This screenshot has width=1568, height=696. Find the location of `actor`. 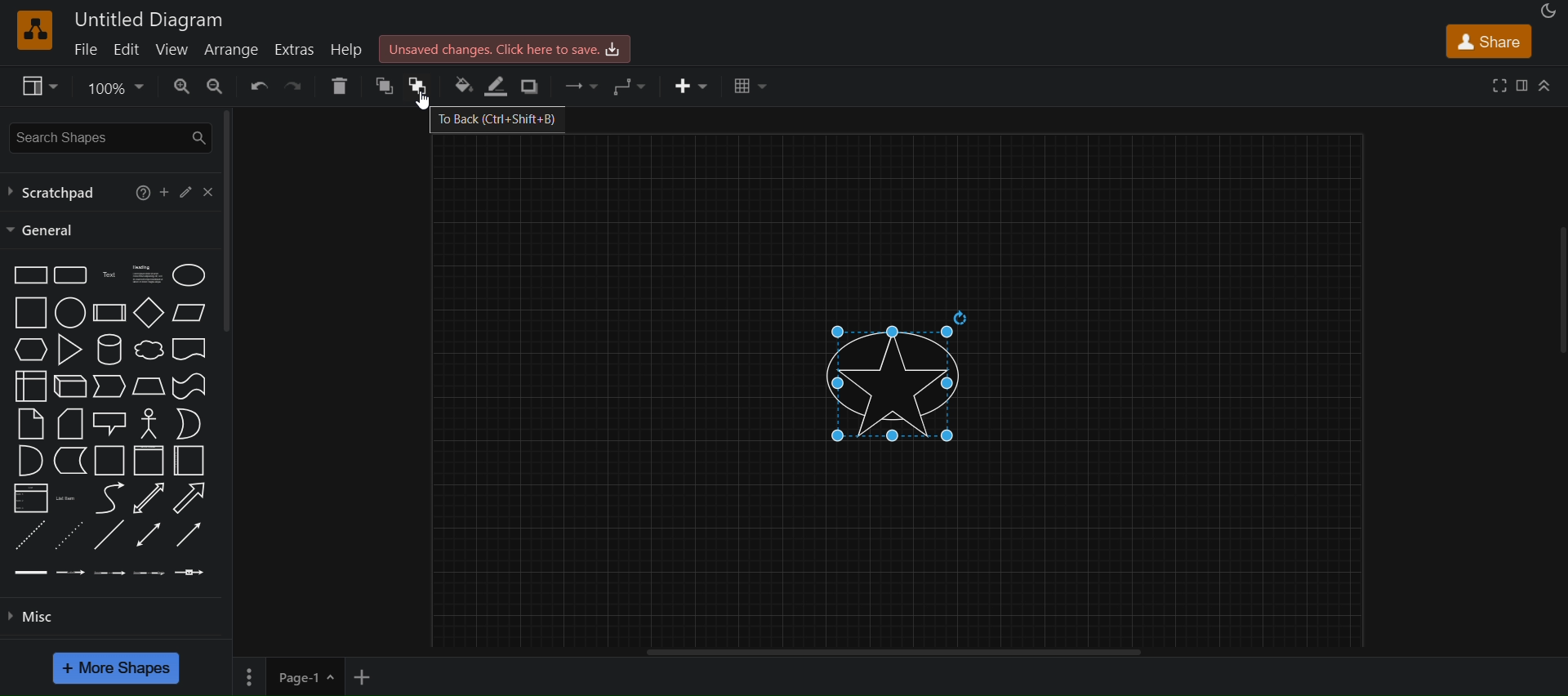

actor is located at coordinates (149, 423).